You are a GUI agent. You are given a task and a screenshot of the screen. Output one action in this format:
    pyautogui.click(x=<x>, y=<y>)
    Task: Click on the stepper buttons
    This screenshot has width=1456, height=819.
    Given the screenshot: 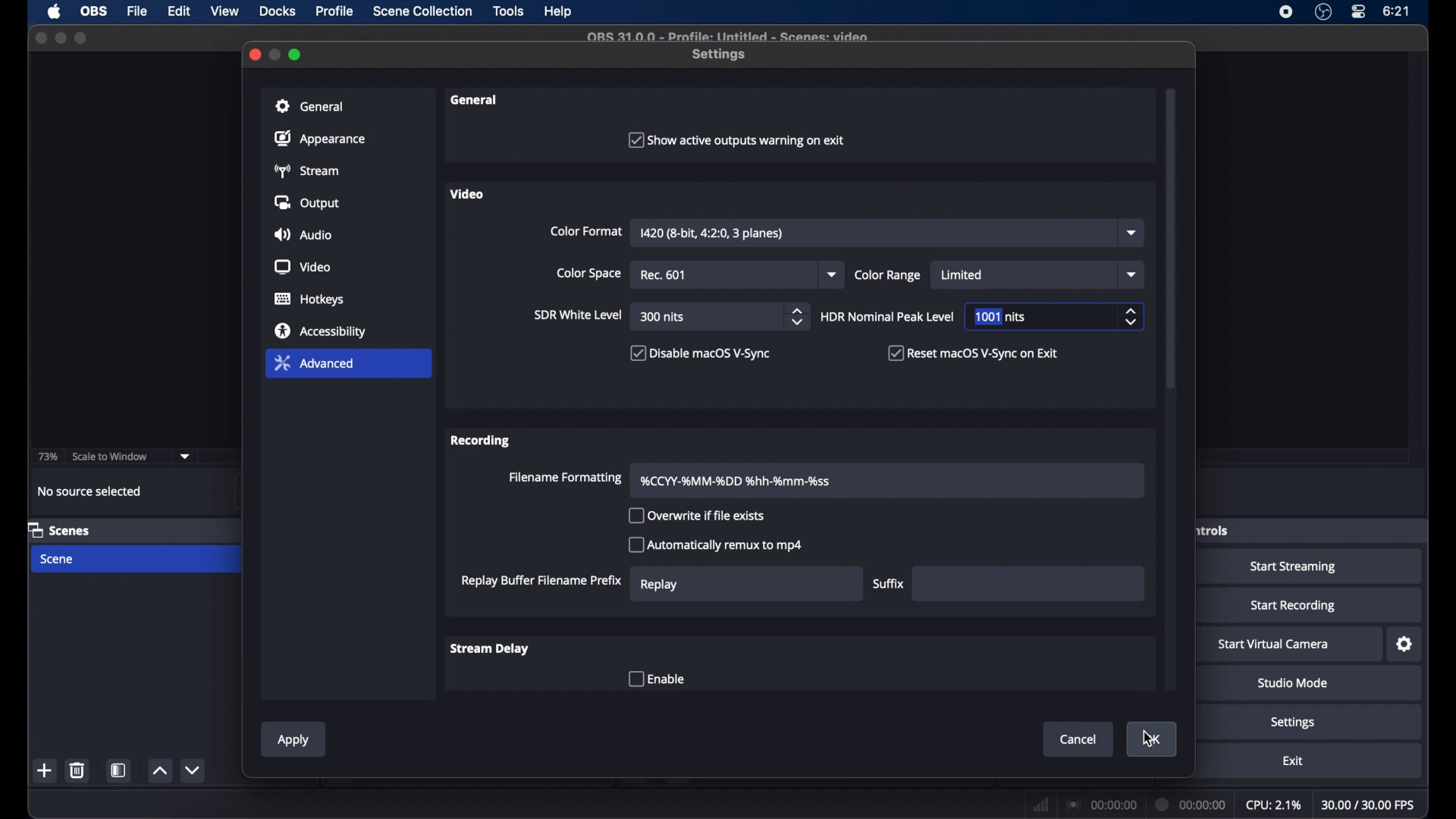 What is the action you would take?
    pyautogui.click(x=1131, y=316)
    